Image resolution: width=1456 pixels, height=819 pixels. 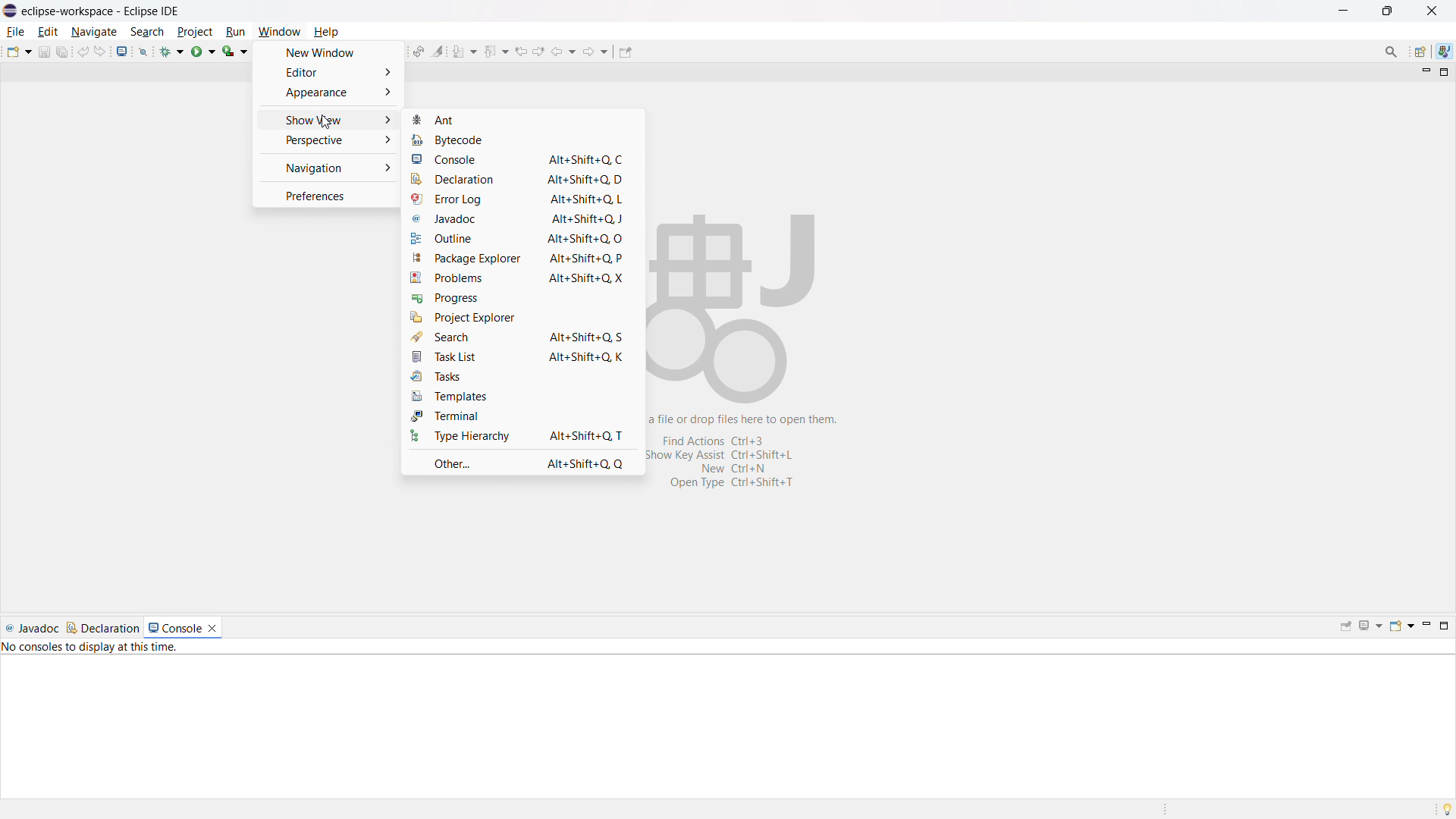 What do you see at coordinates (327, 51) in the screenshot?
I see `new window` at bounding box center [327, 51].